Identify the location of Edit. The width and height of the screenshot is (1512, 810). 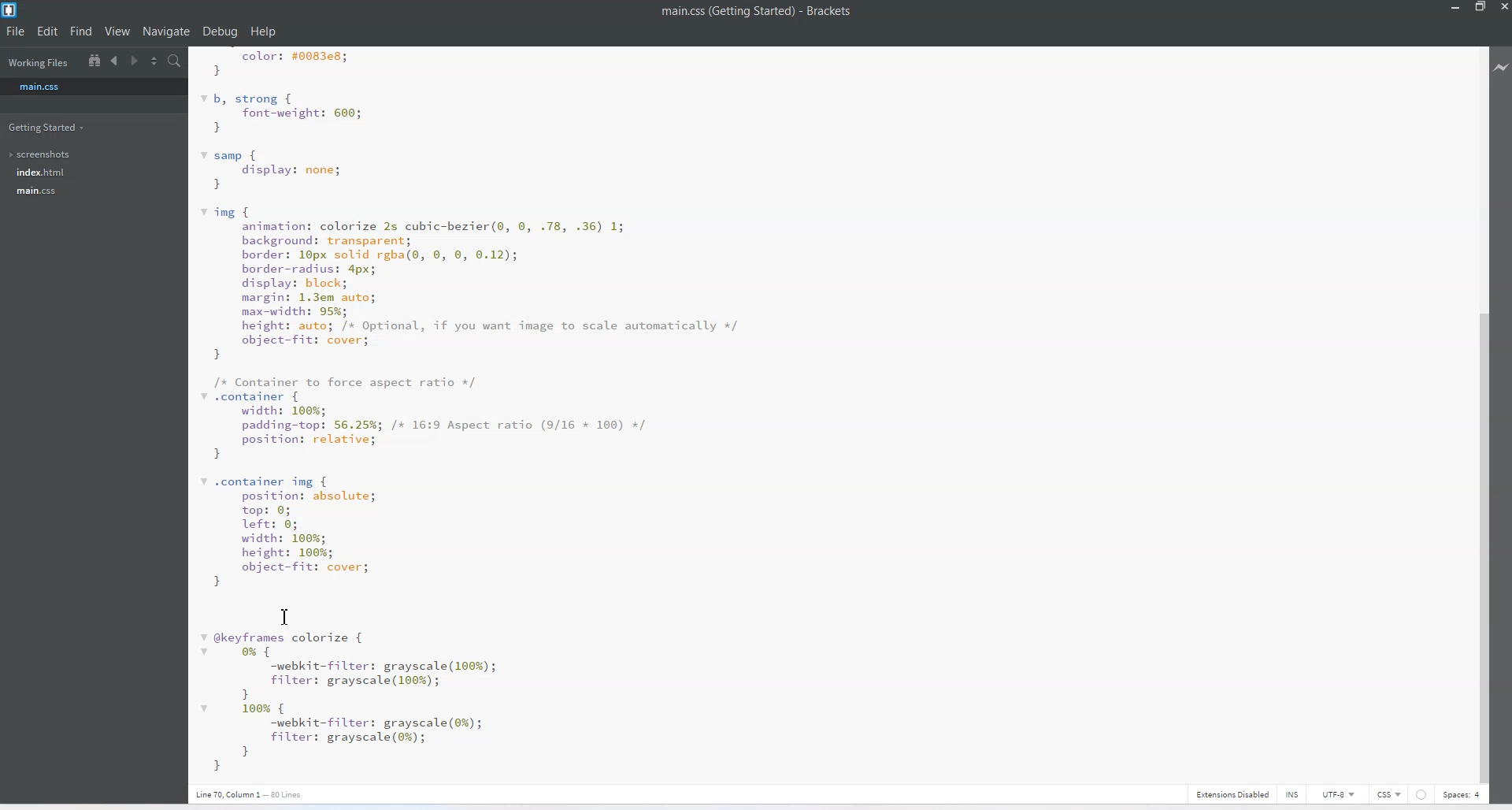
(48, 31).